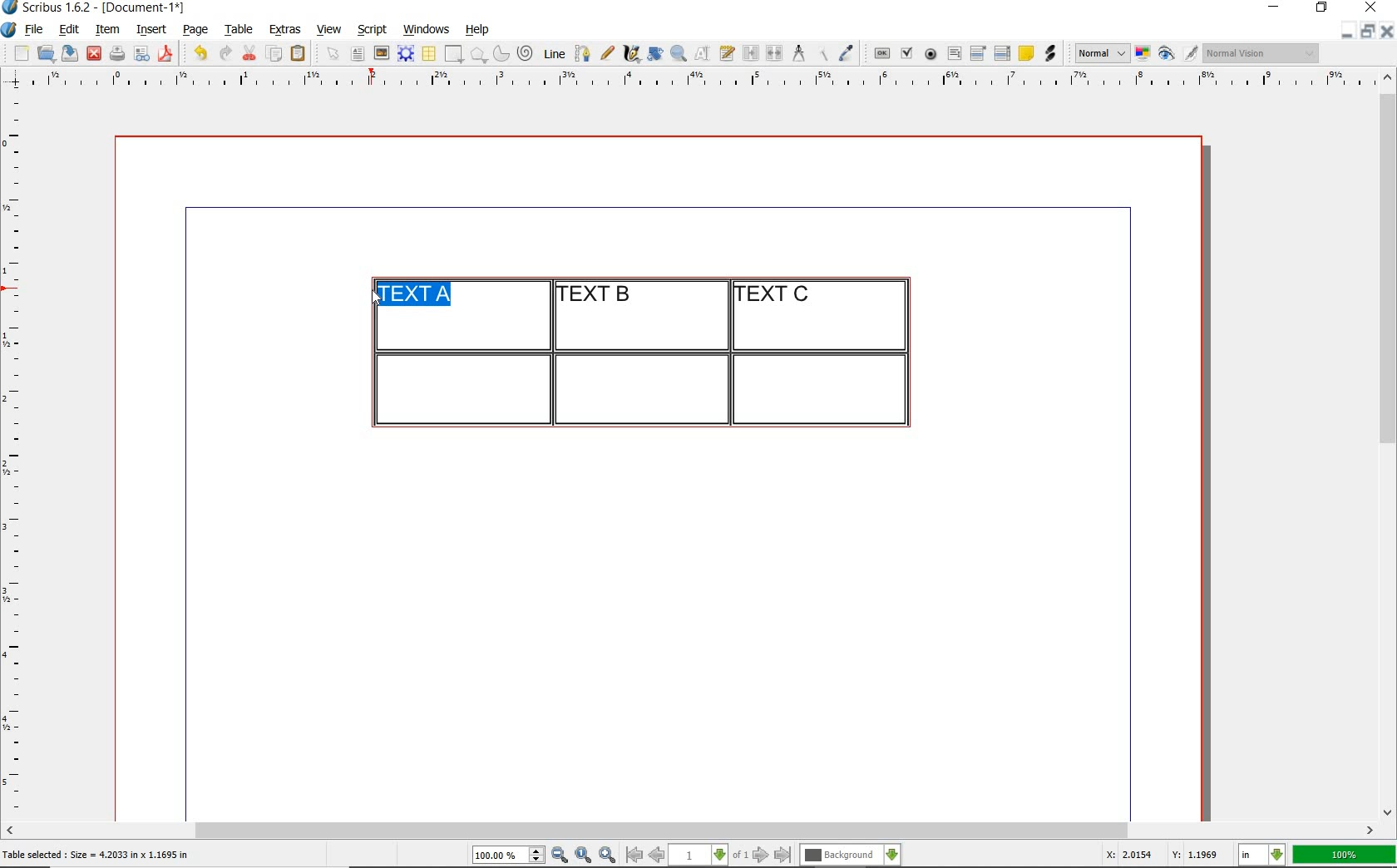 This screenshot has height=868, width=1397. What do you see at coordinates (679, 53) in the screenshot?
I see `zoom in or zoom out` at bounding box center [679, 53].